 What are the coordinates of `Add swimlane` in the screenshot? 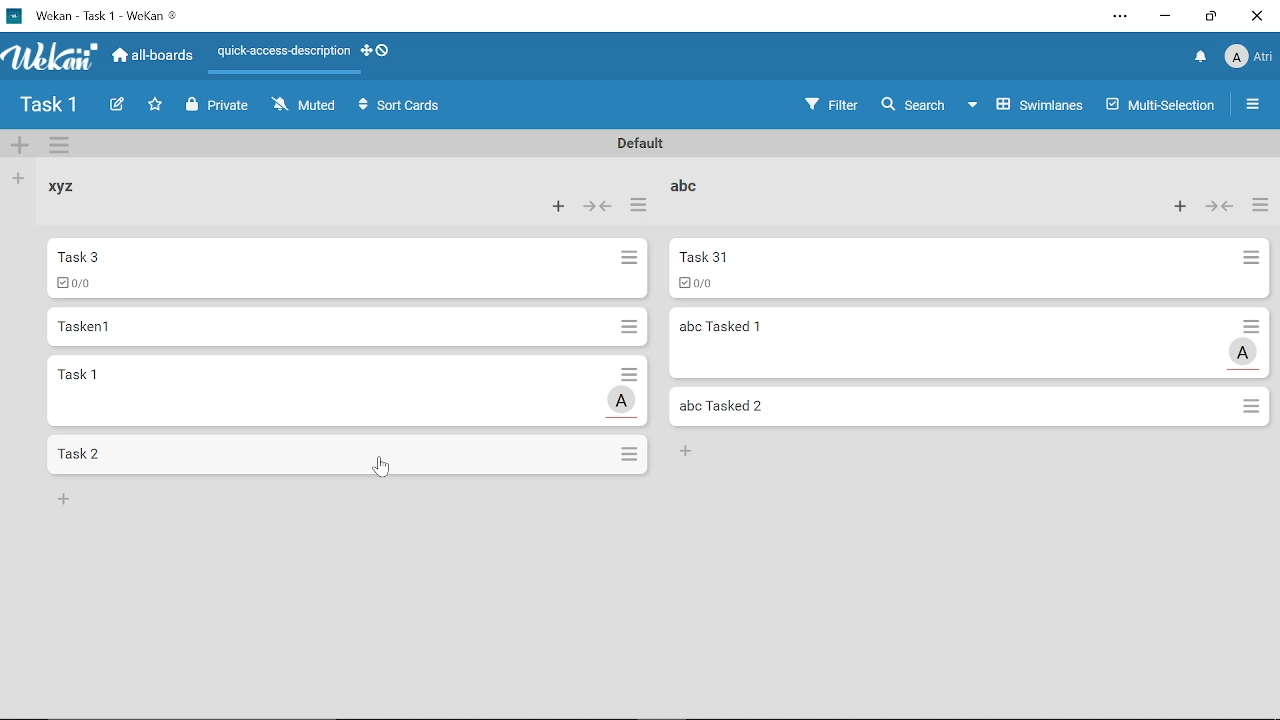 It's located at (20, 147).